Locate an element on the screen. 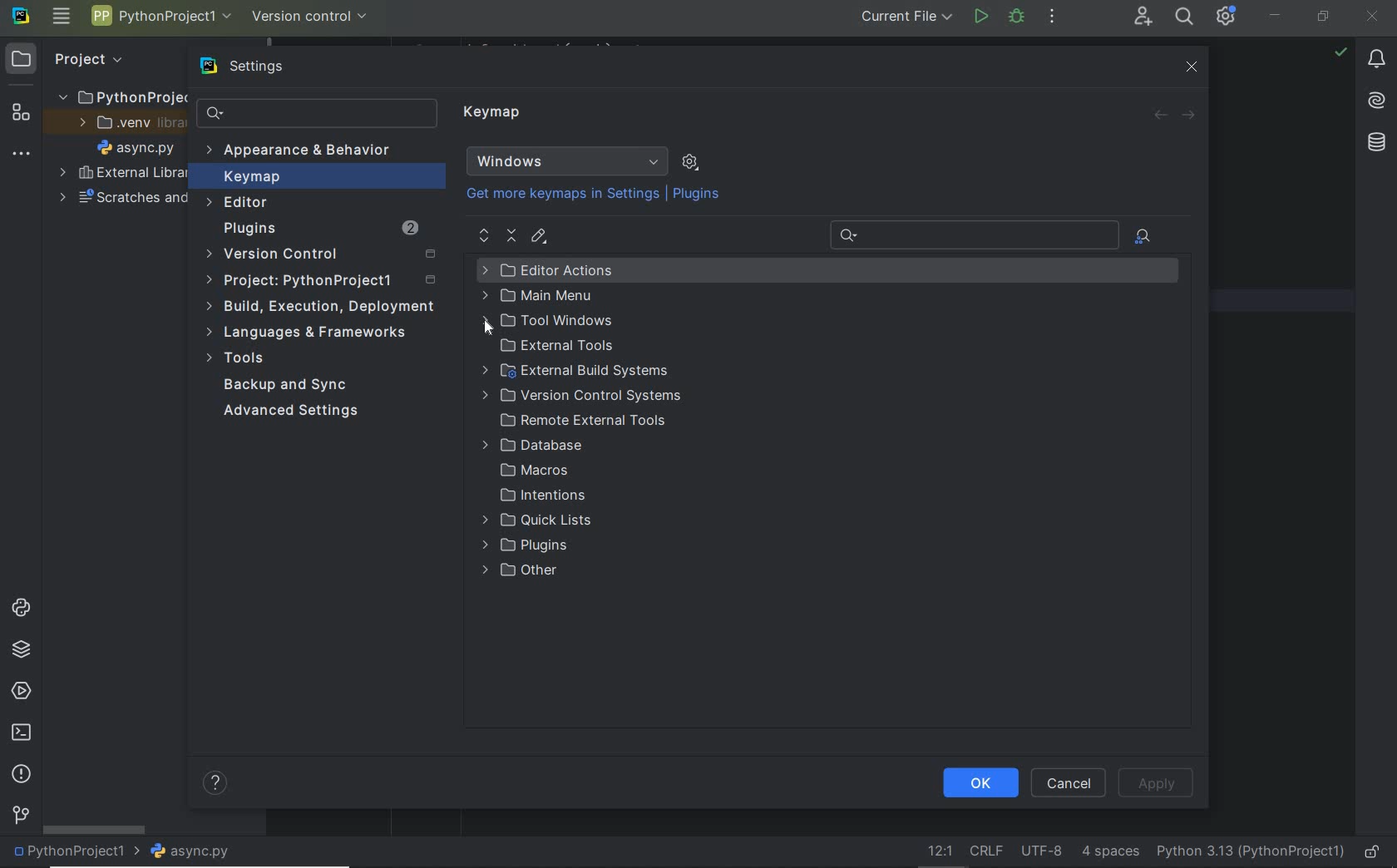  Tool Windows is located at coordinates (554, 321).